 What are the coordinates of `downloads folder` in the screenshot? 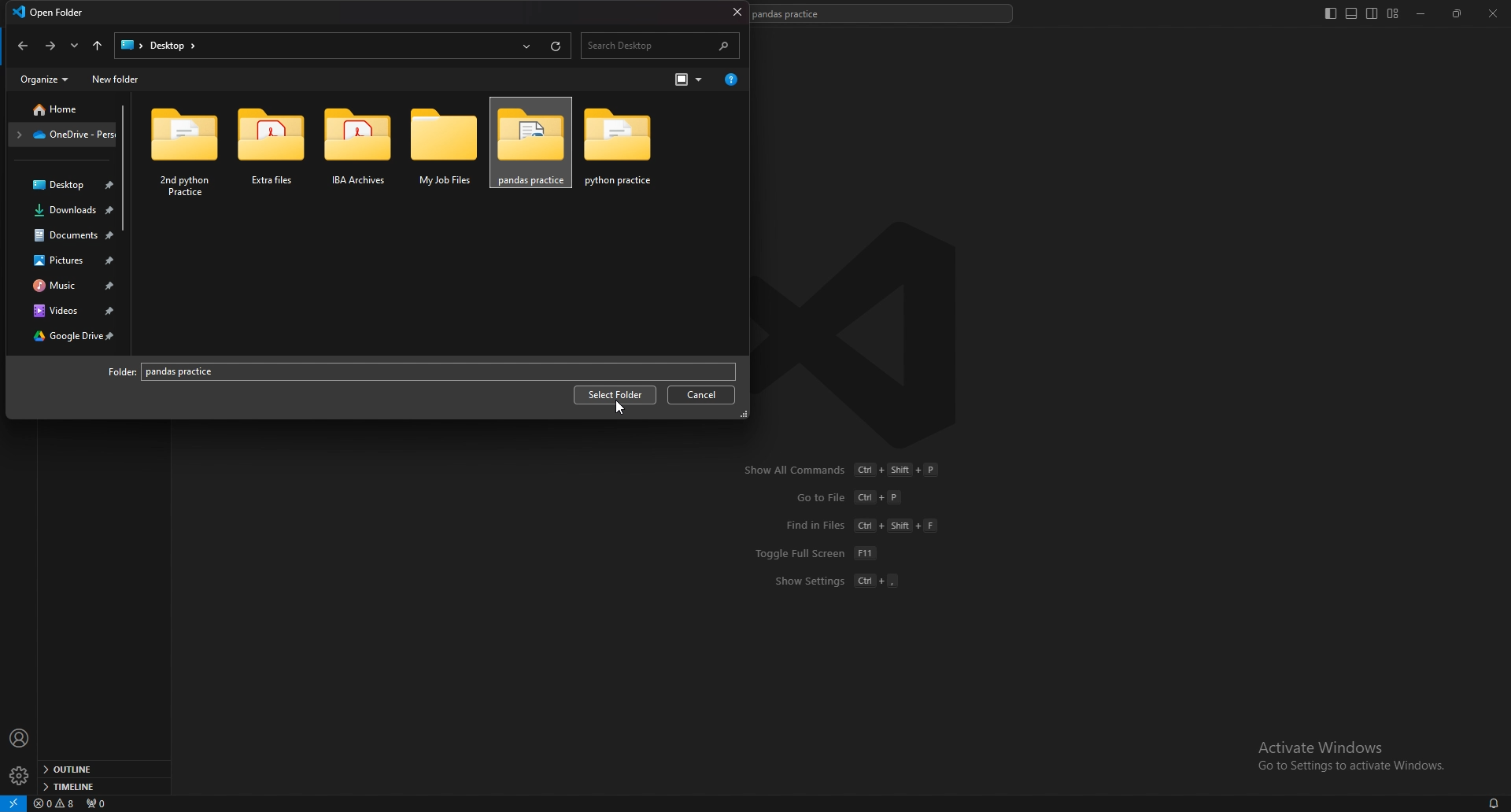 It's located at (66, 209).